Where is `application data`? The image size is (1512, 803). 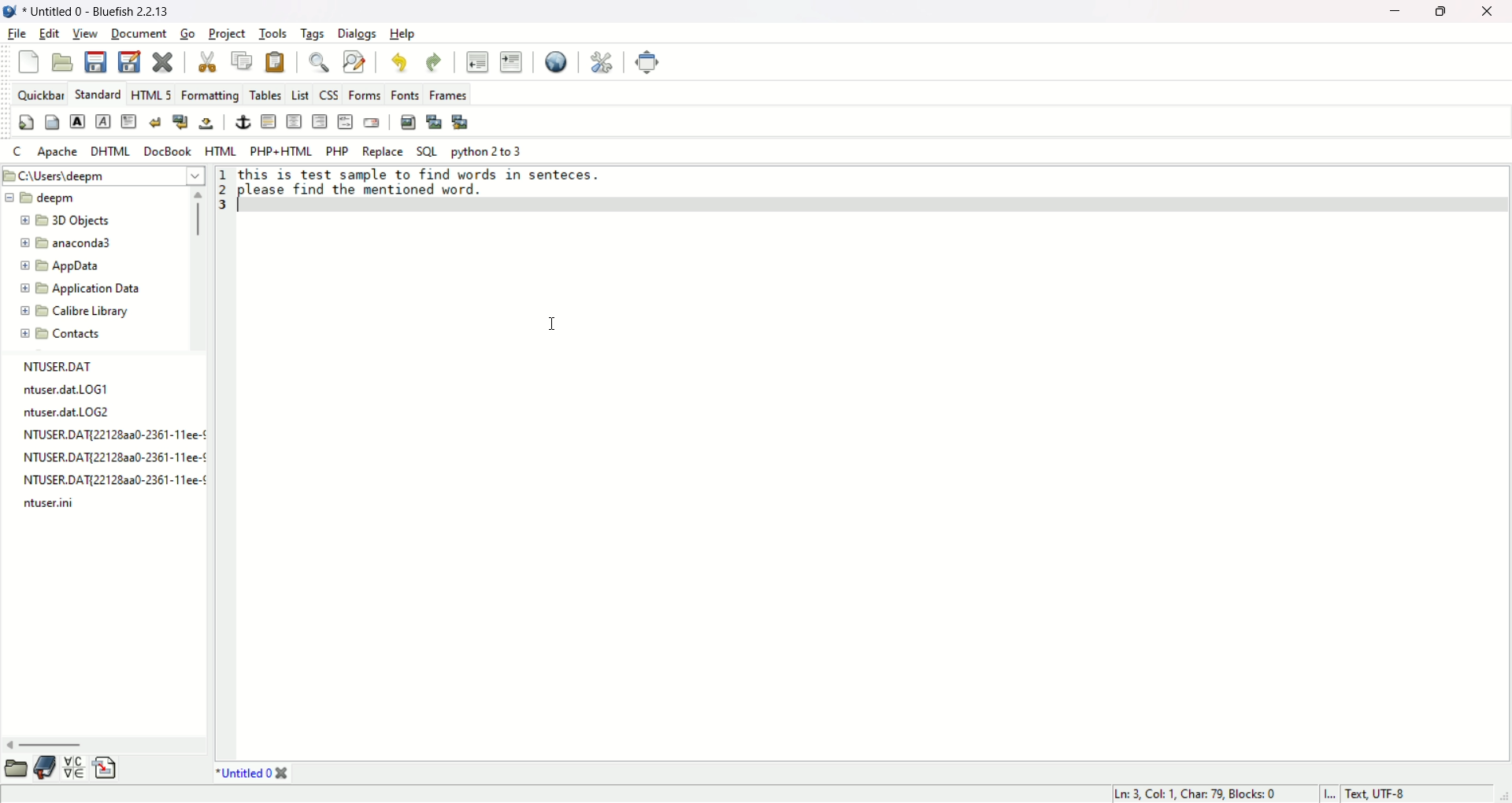
application data is located at coordinates (69, 288).